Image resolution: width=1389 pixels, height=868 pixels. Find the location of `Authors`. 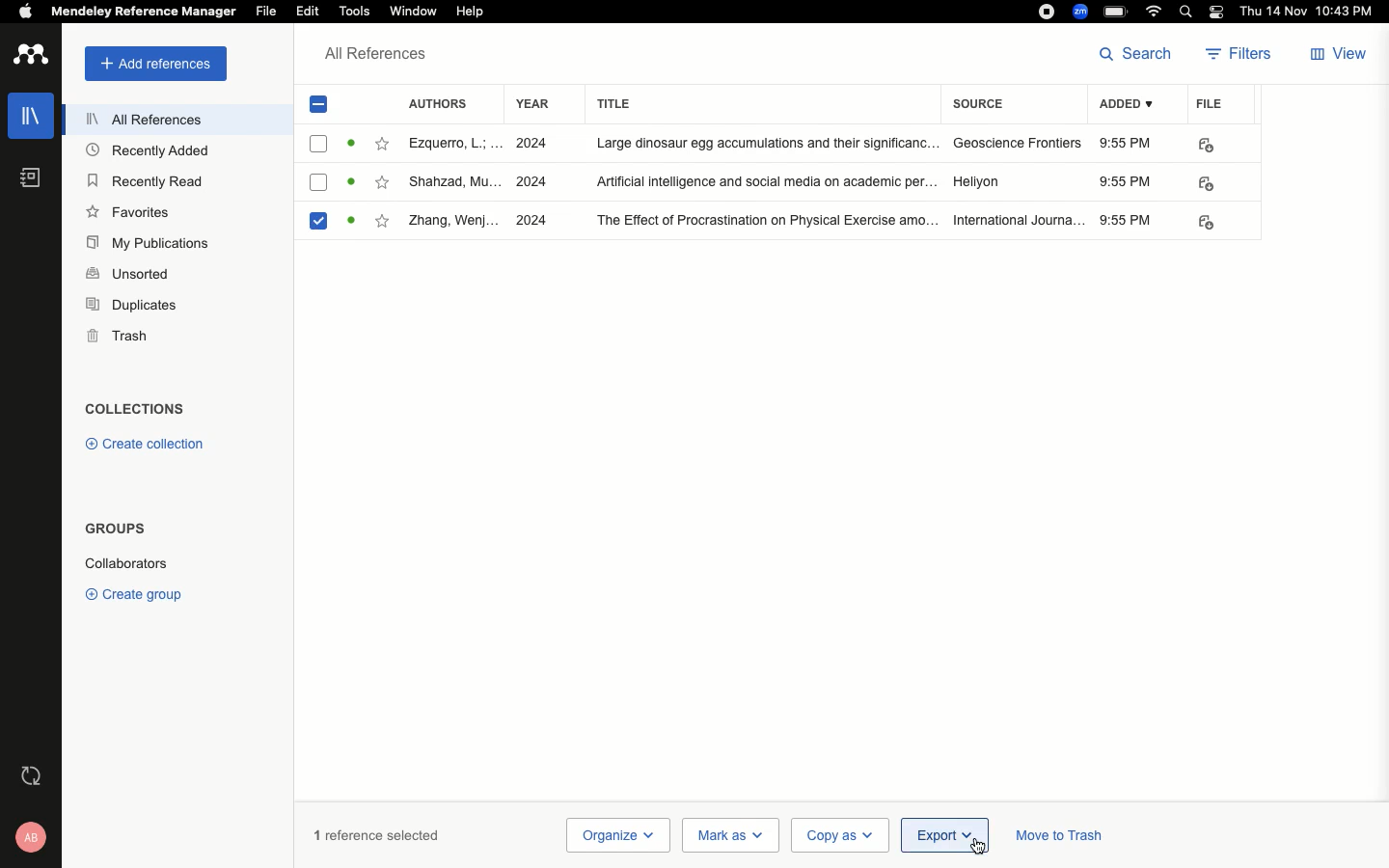

Authors is located at coordinates (445, 102).